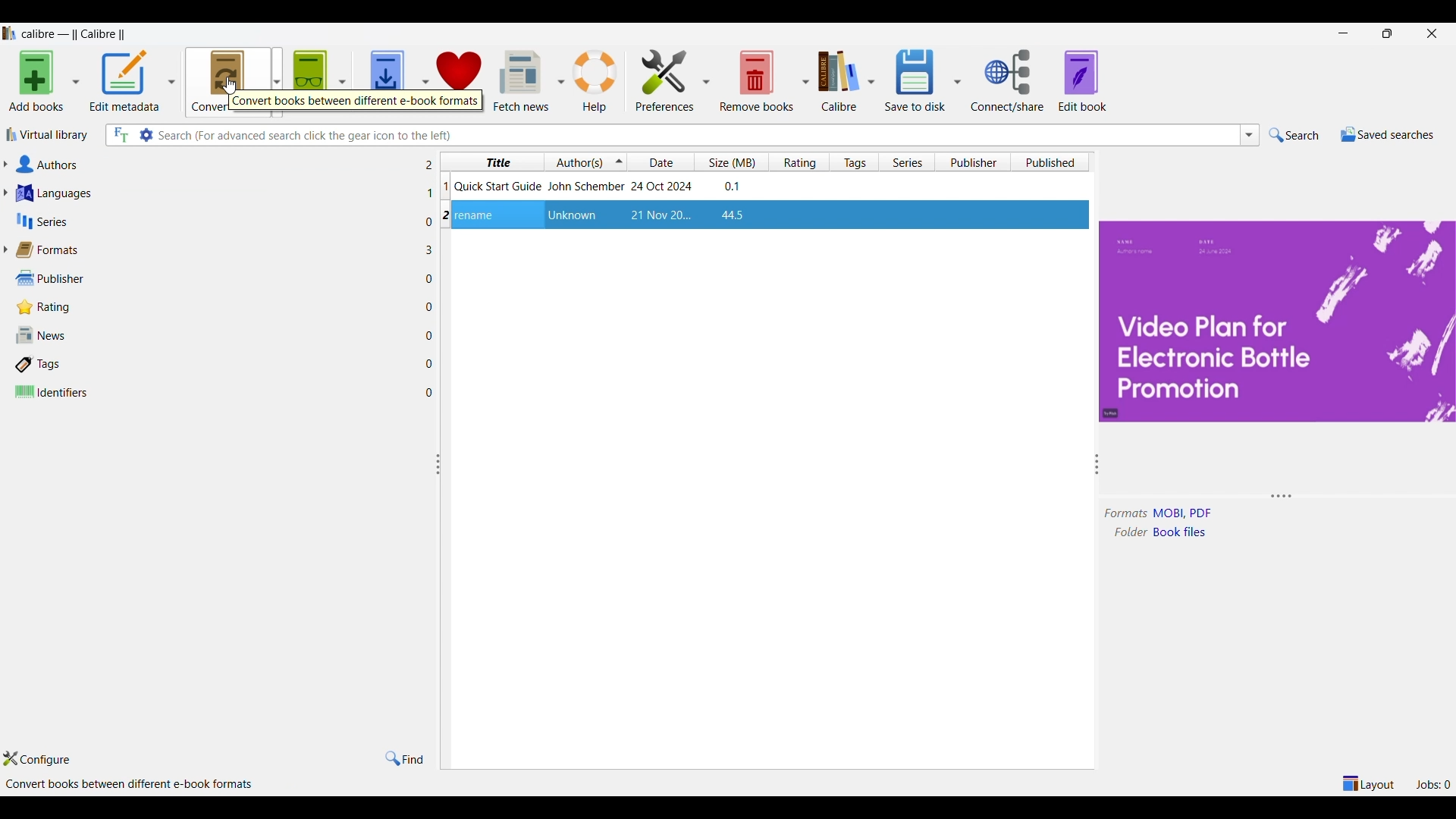  I want to click on Software logo, so click(10, 33).